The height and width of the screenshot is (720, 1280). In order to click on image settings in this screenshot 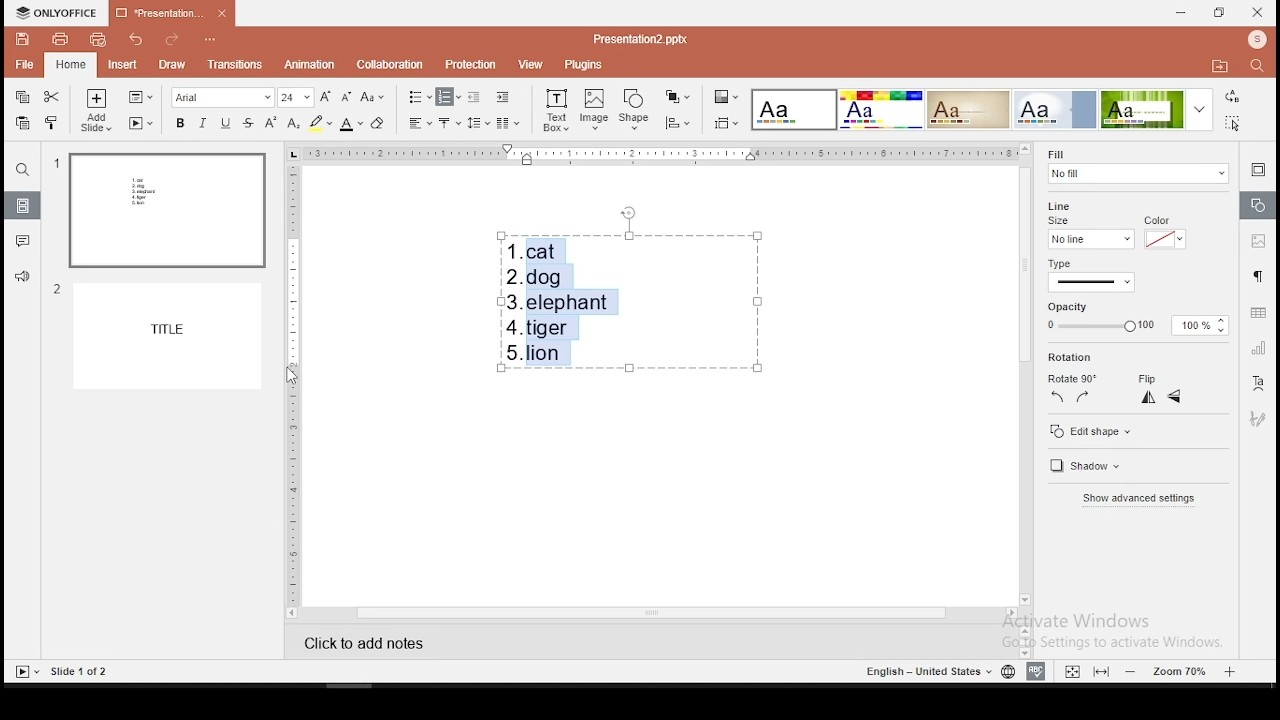, I will do `click(1258, 240)`.